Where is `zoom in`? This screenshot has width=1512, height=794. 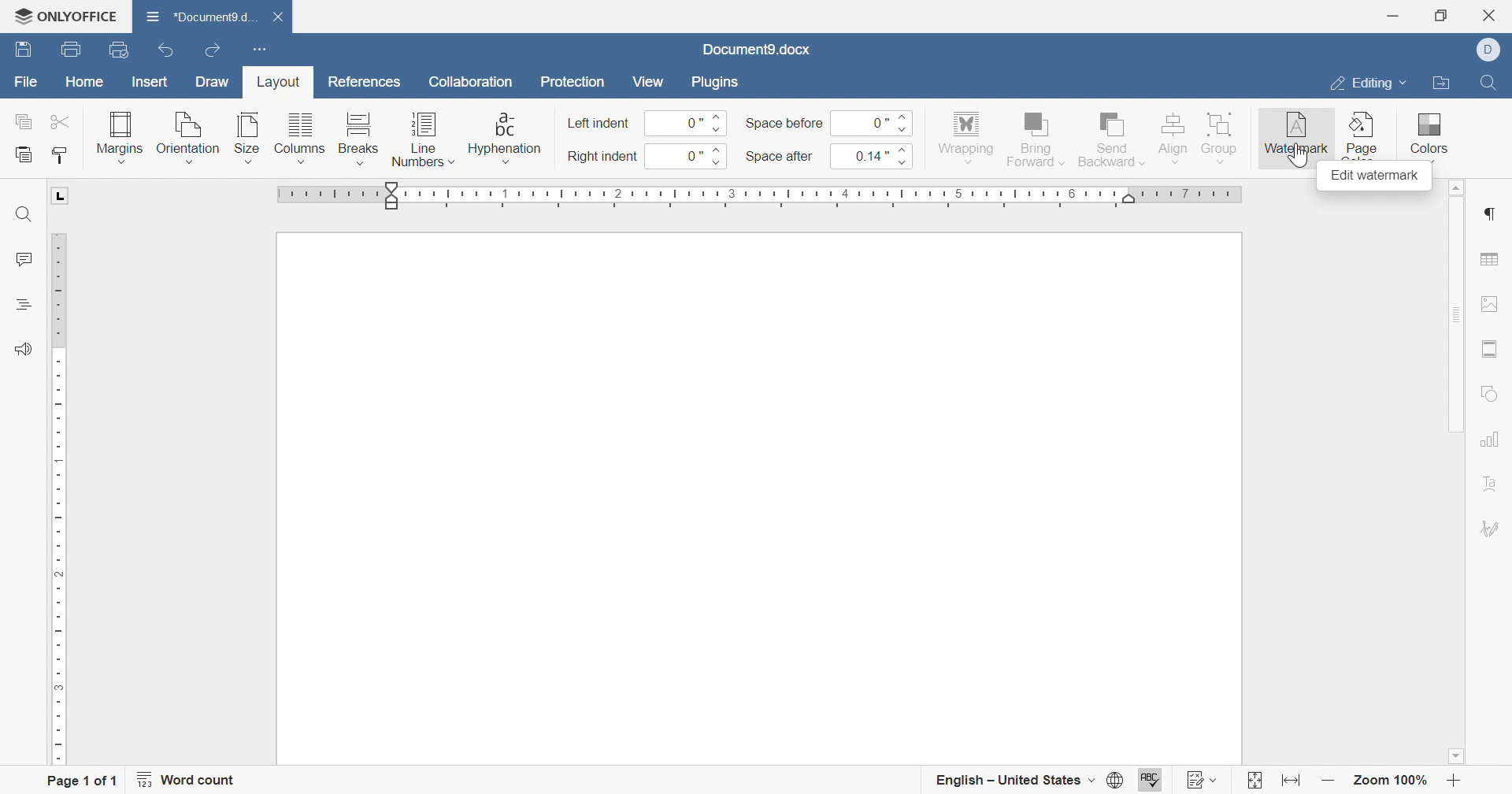 zoom in is located at coordinates (1454, 783).